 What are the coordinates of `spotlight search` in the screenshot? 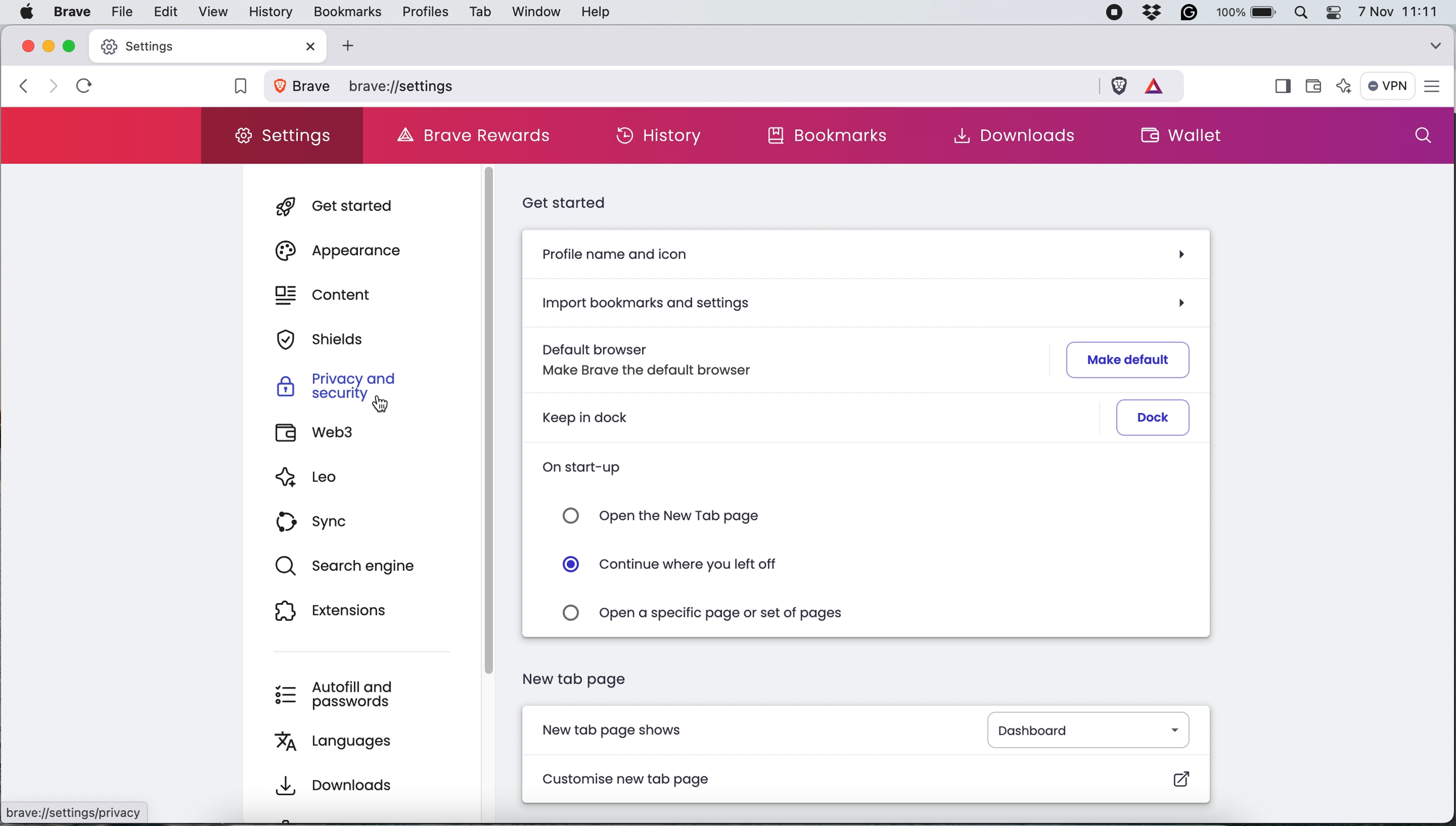 It's located at (1306, 12).